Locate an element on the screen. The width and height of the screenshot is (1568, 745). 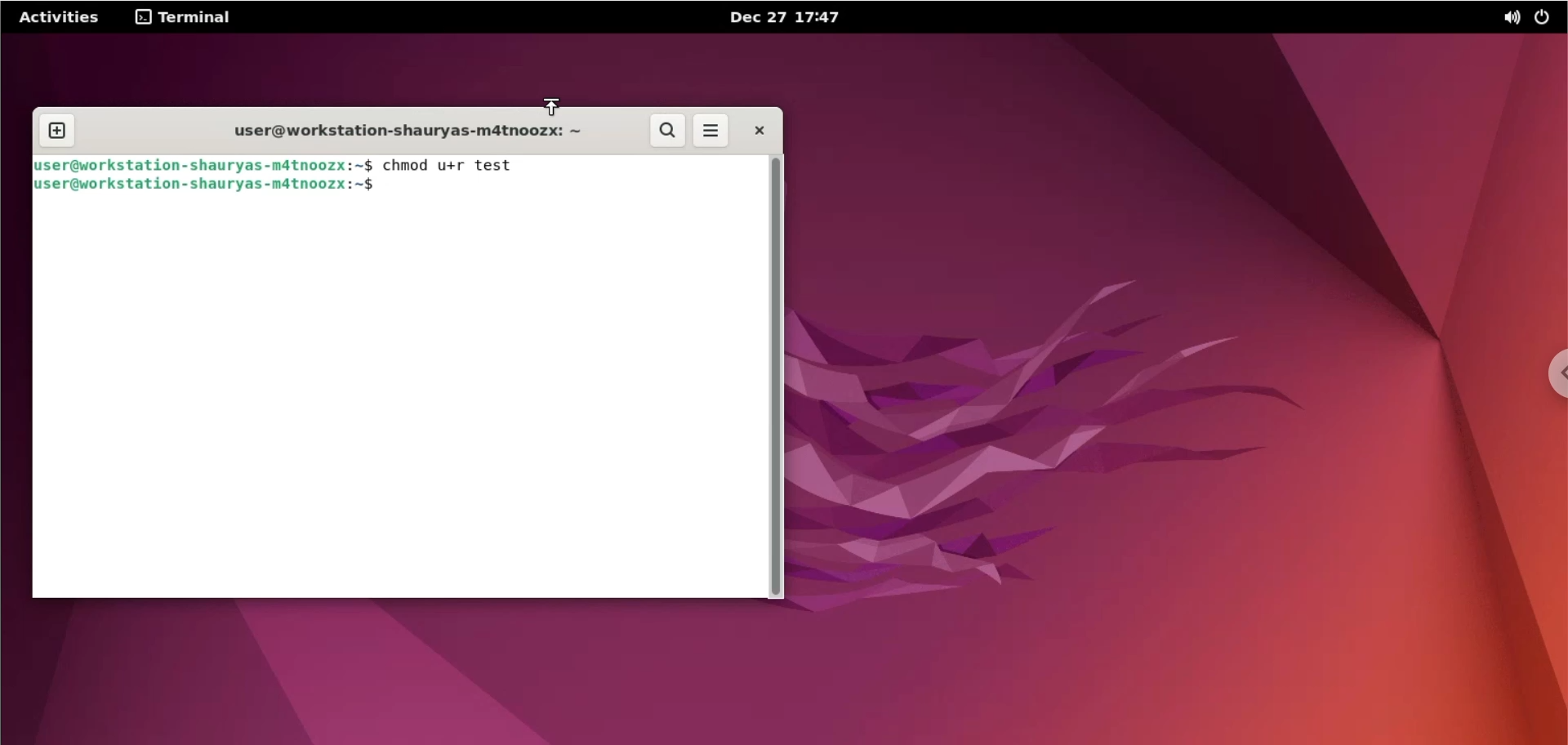
more options is located at coordinates (714, 131).